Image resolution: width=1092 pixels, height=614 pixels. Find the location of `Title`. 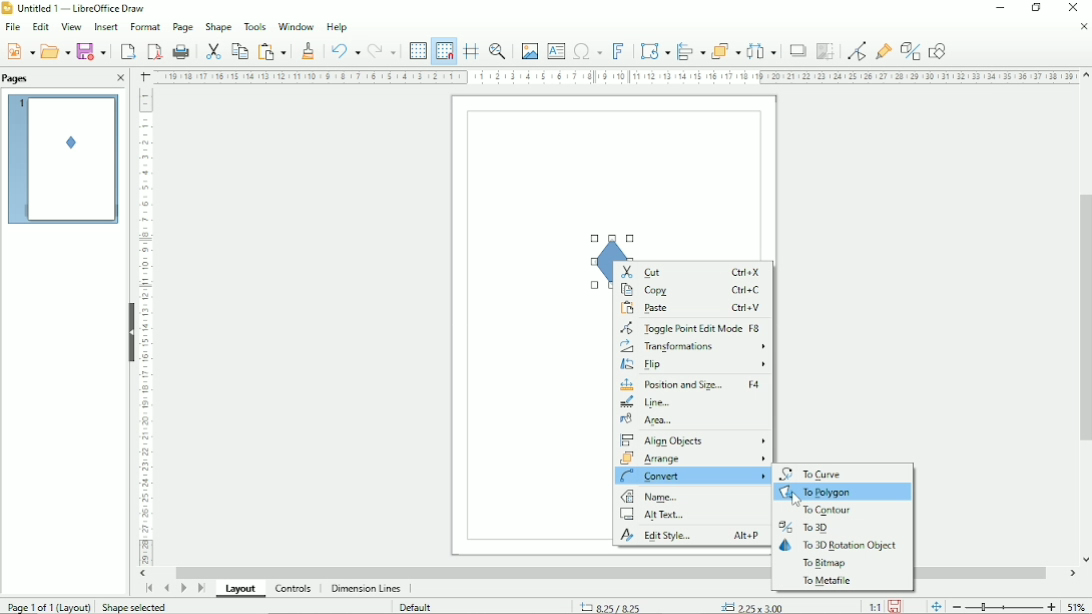

Title is located at coordinates (76, 9).